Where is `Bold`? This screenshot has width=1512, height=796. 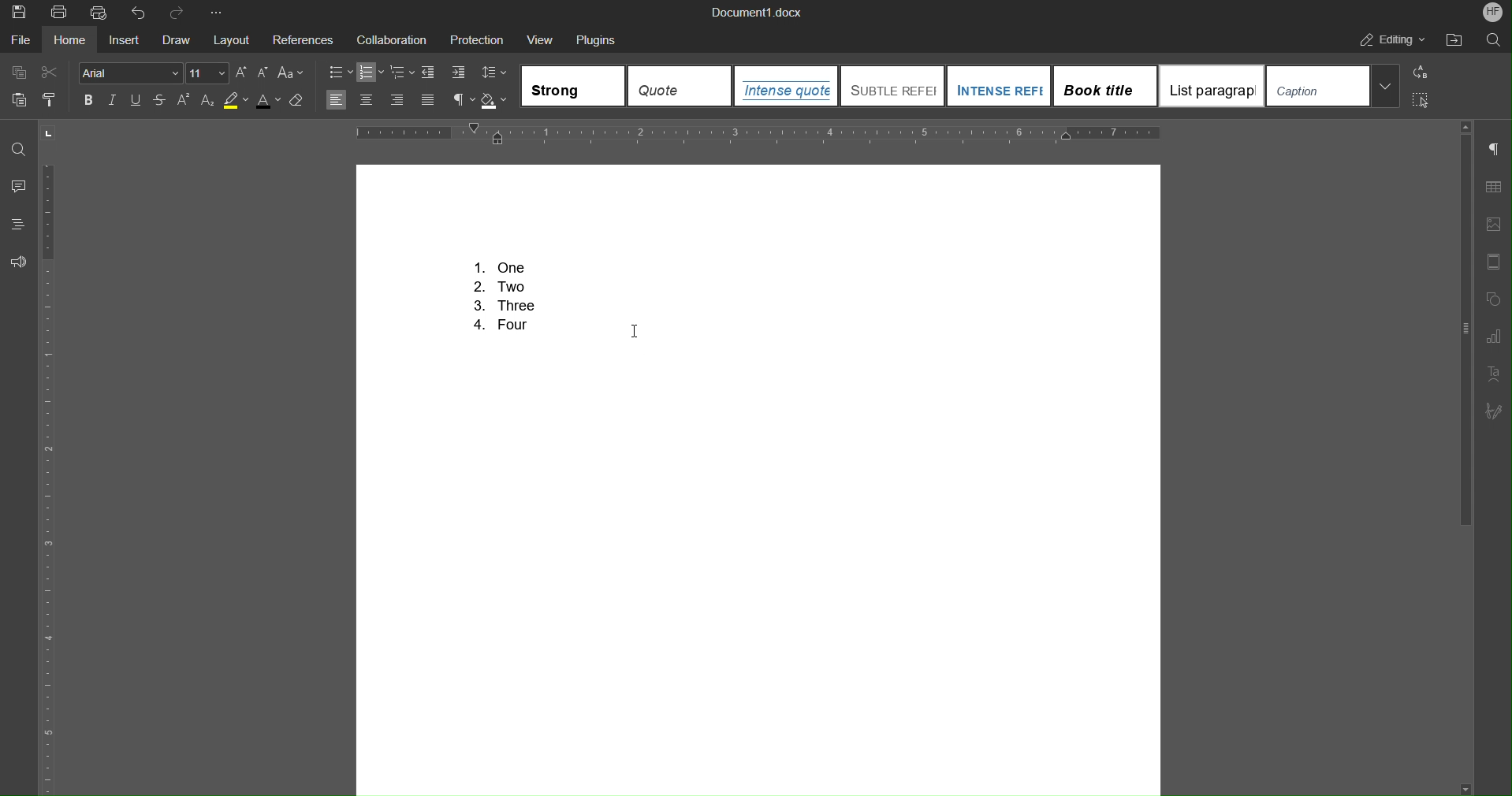 Bold is located at coordinates (88, 101).